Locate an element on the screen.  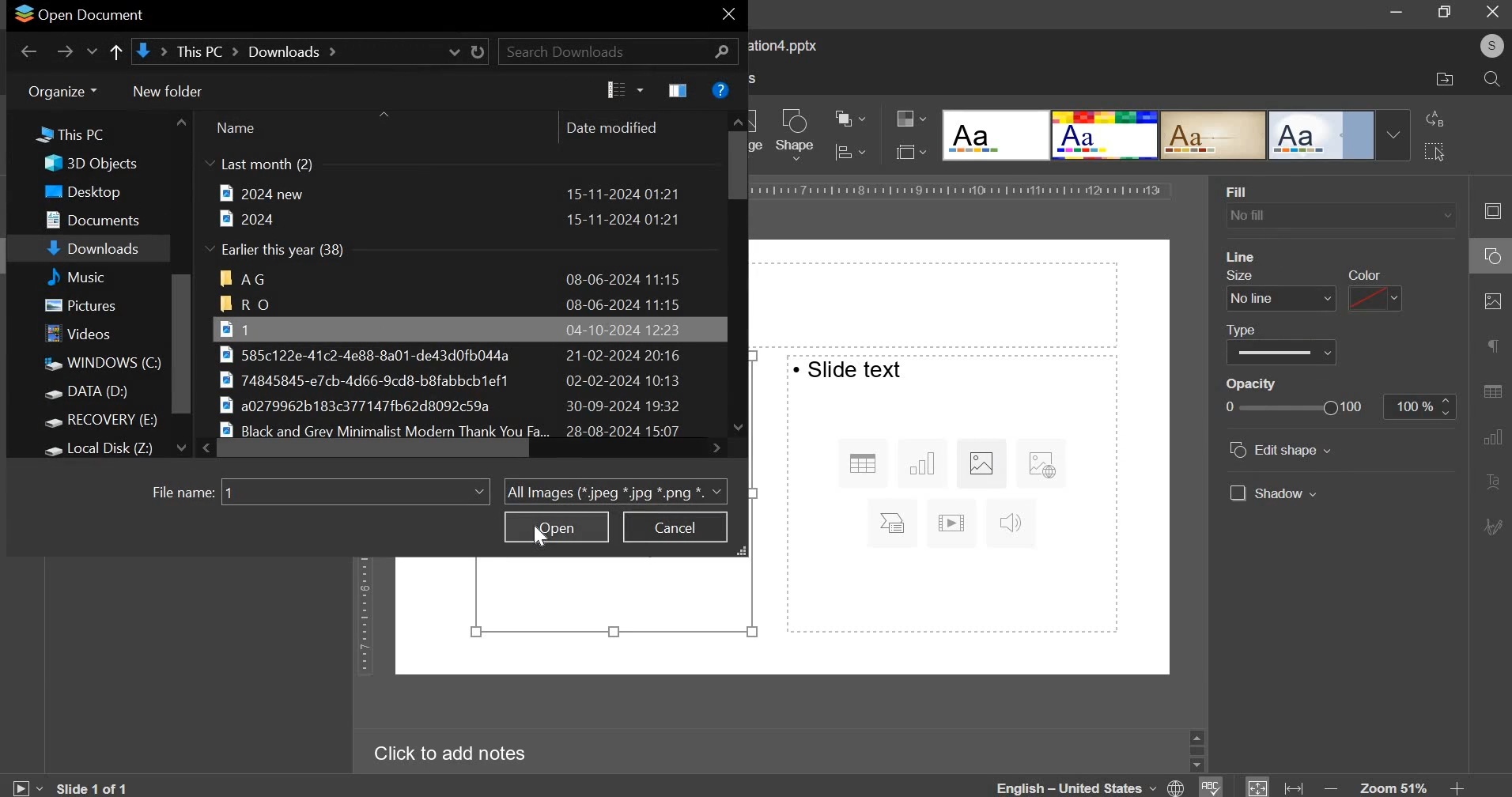
opacity slider is located at coordinates (1293, 406).